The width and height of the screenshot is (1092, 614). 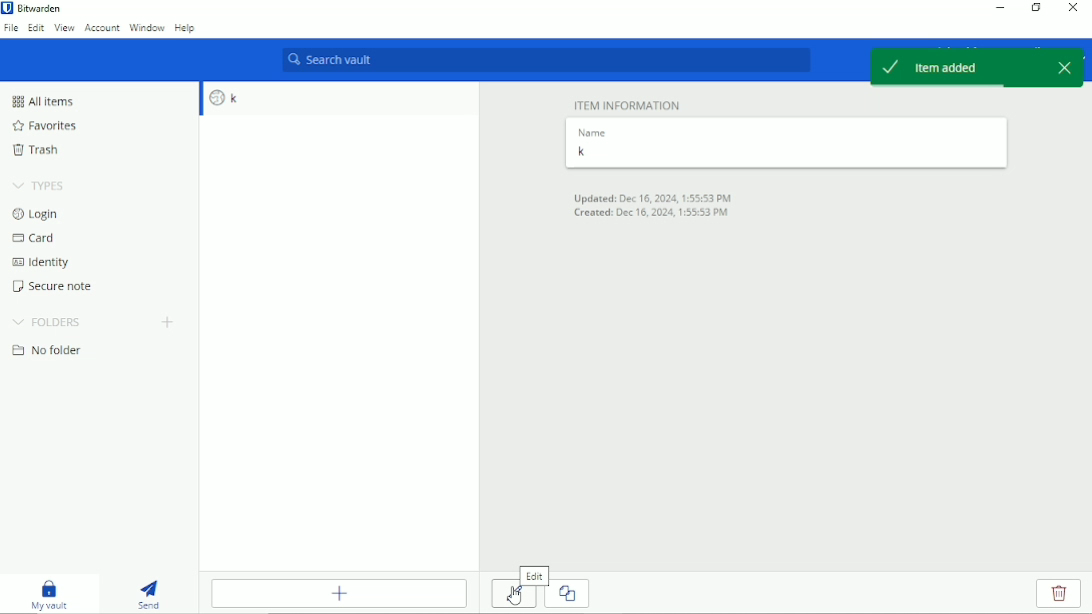 What do you see at coordinates (627, 104) in the screenshot?
I see `Item information` at bounding box center [627, 104].